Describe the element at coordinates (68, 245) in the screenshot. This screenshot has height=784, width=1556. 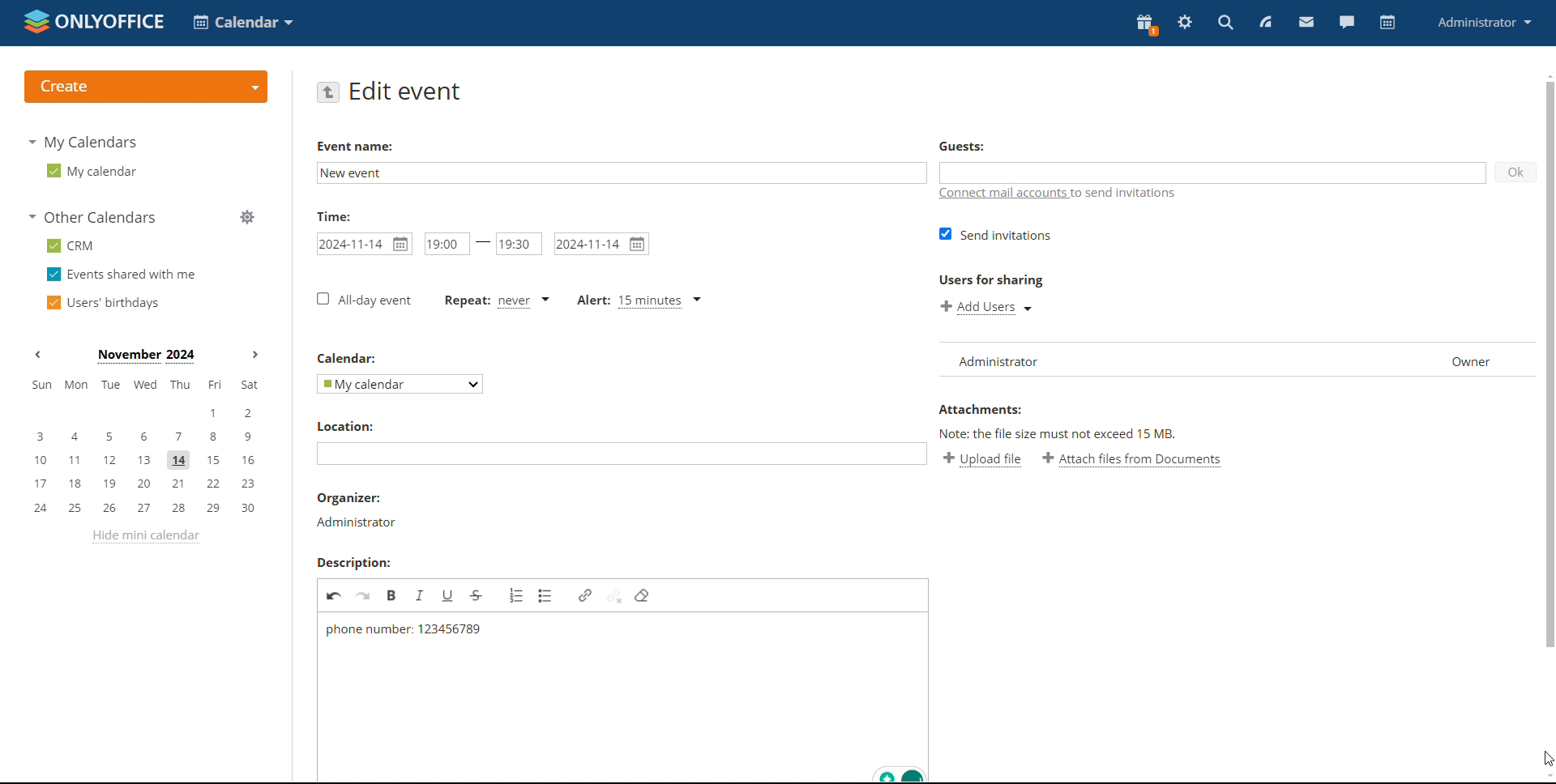
I see `crm` at that location.